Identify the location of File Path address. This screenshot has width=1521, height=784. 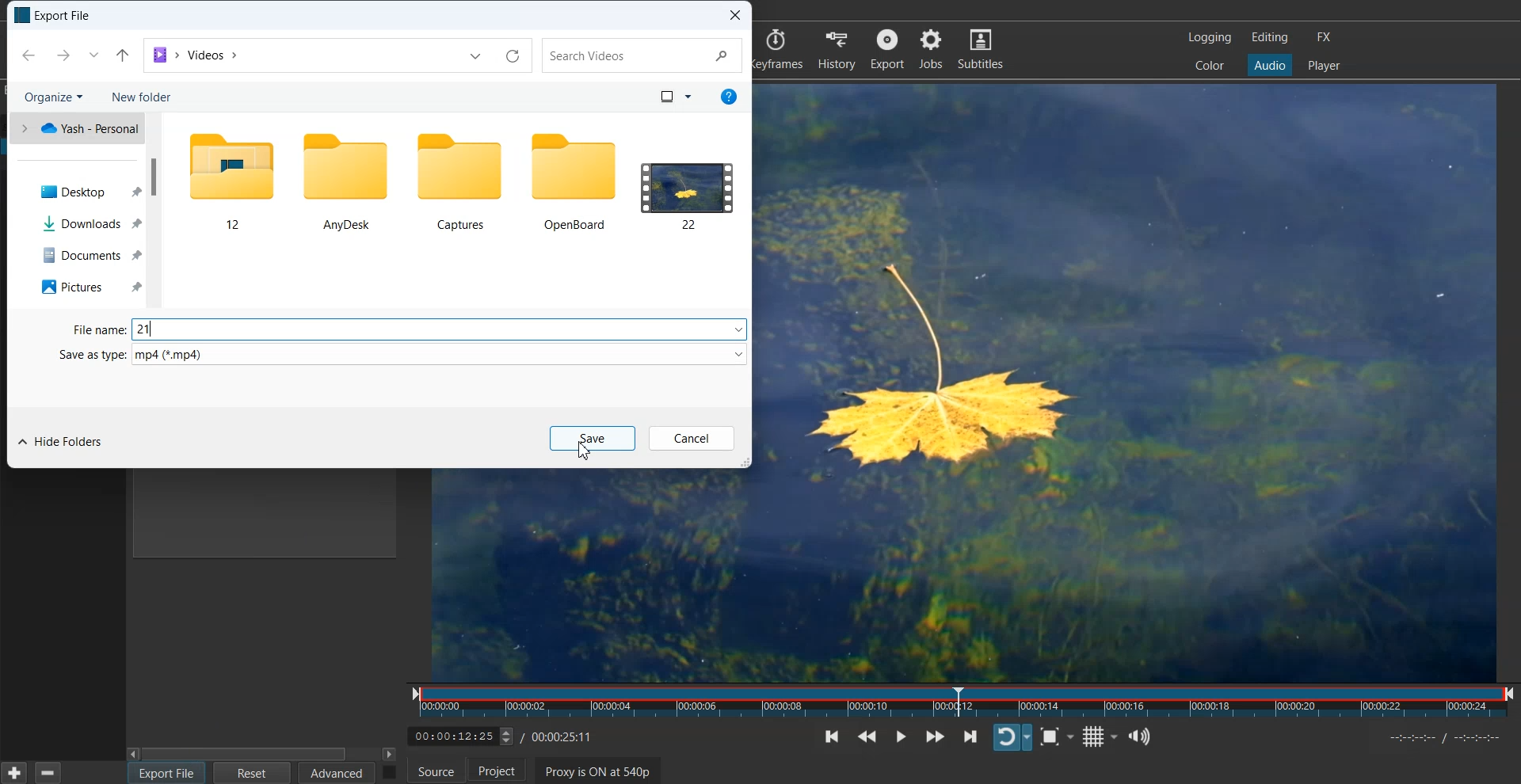
(196, 54).